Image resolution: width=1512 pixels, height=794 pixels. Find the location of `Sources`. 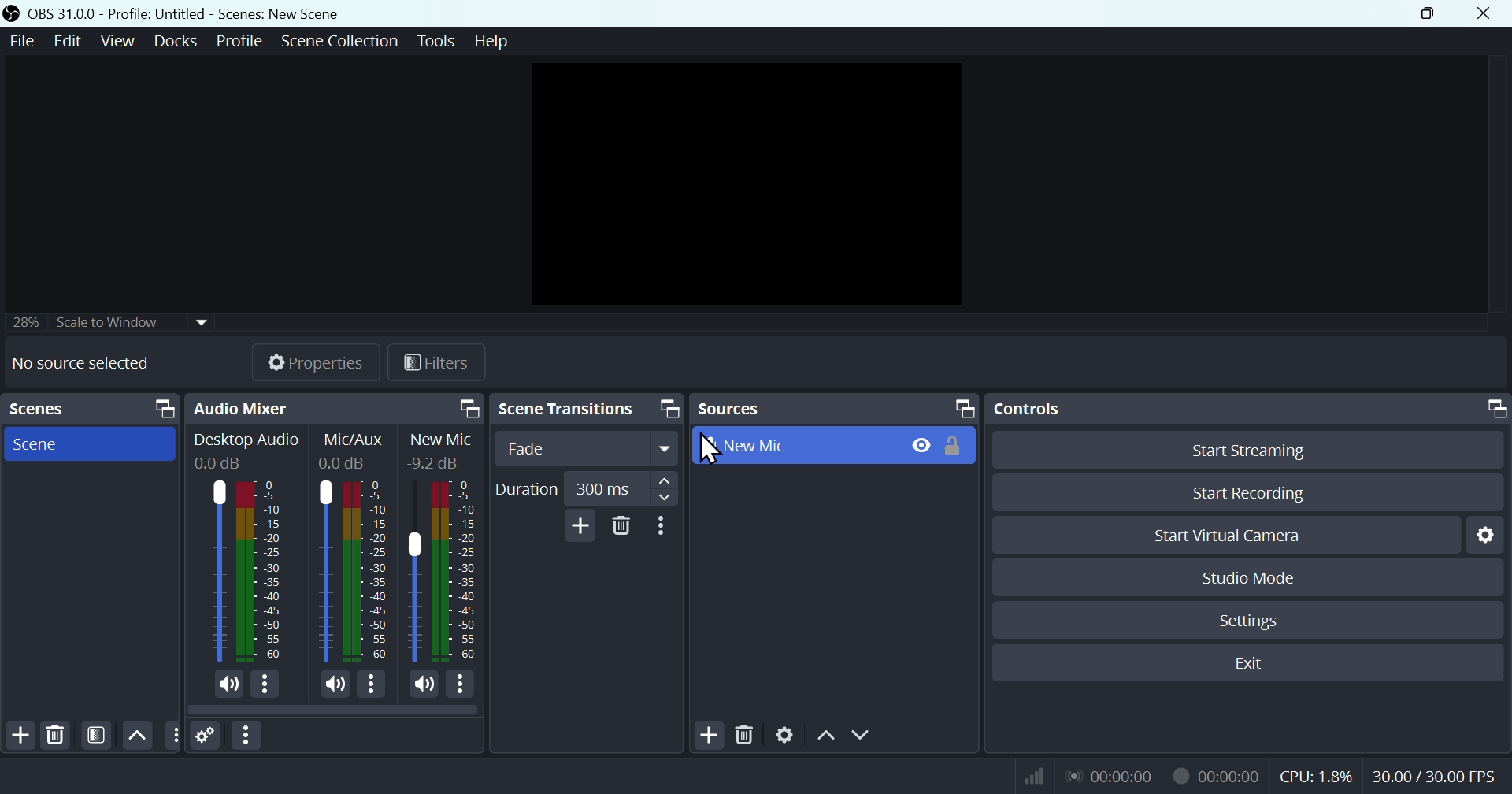

Sources is located at coordinates (835, 406).